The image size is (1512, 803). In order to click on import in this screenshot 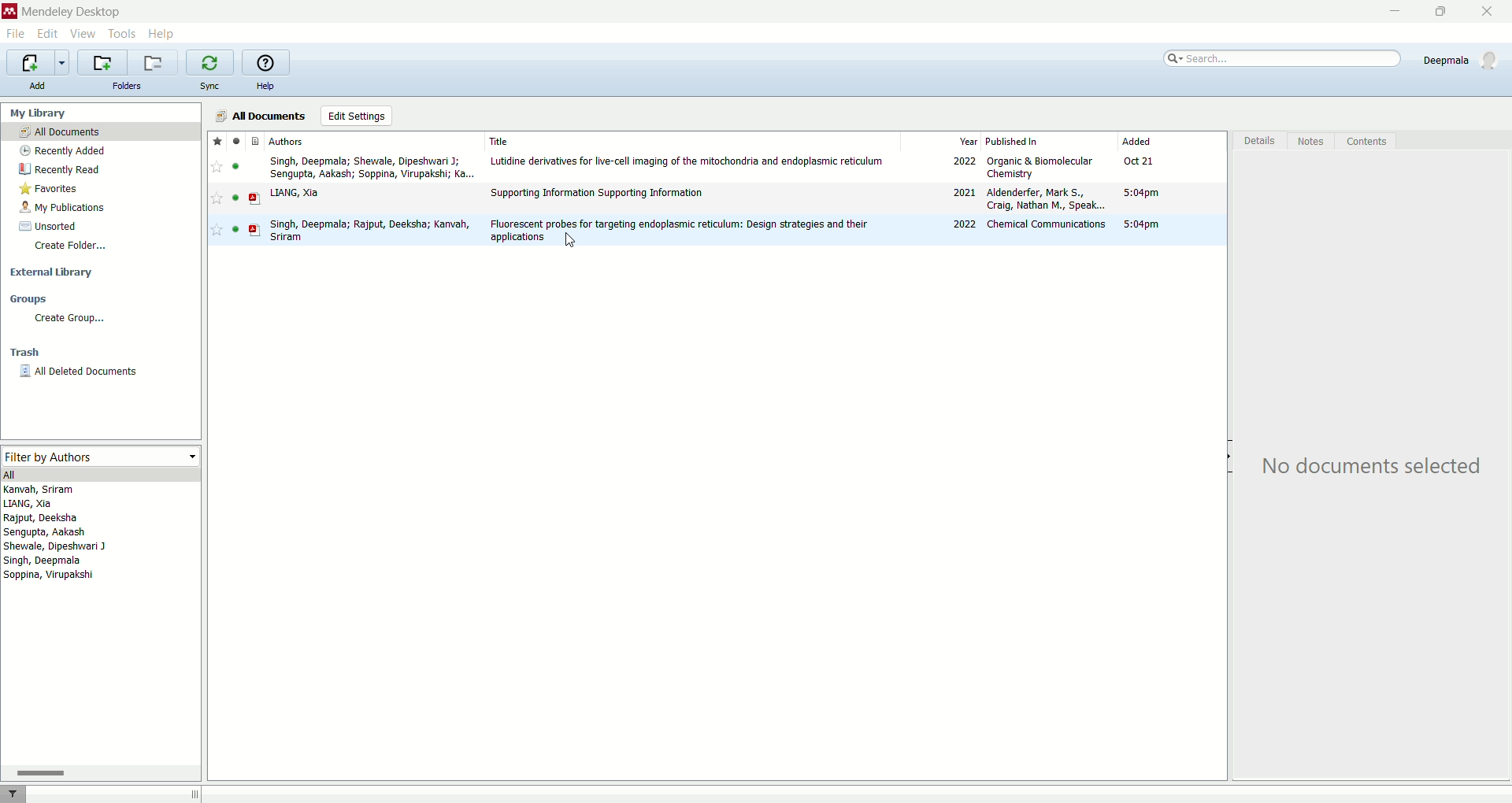, I will do `click(38, 62)`.